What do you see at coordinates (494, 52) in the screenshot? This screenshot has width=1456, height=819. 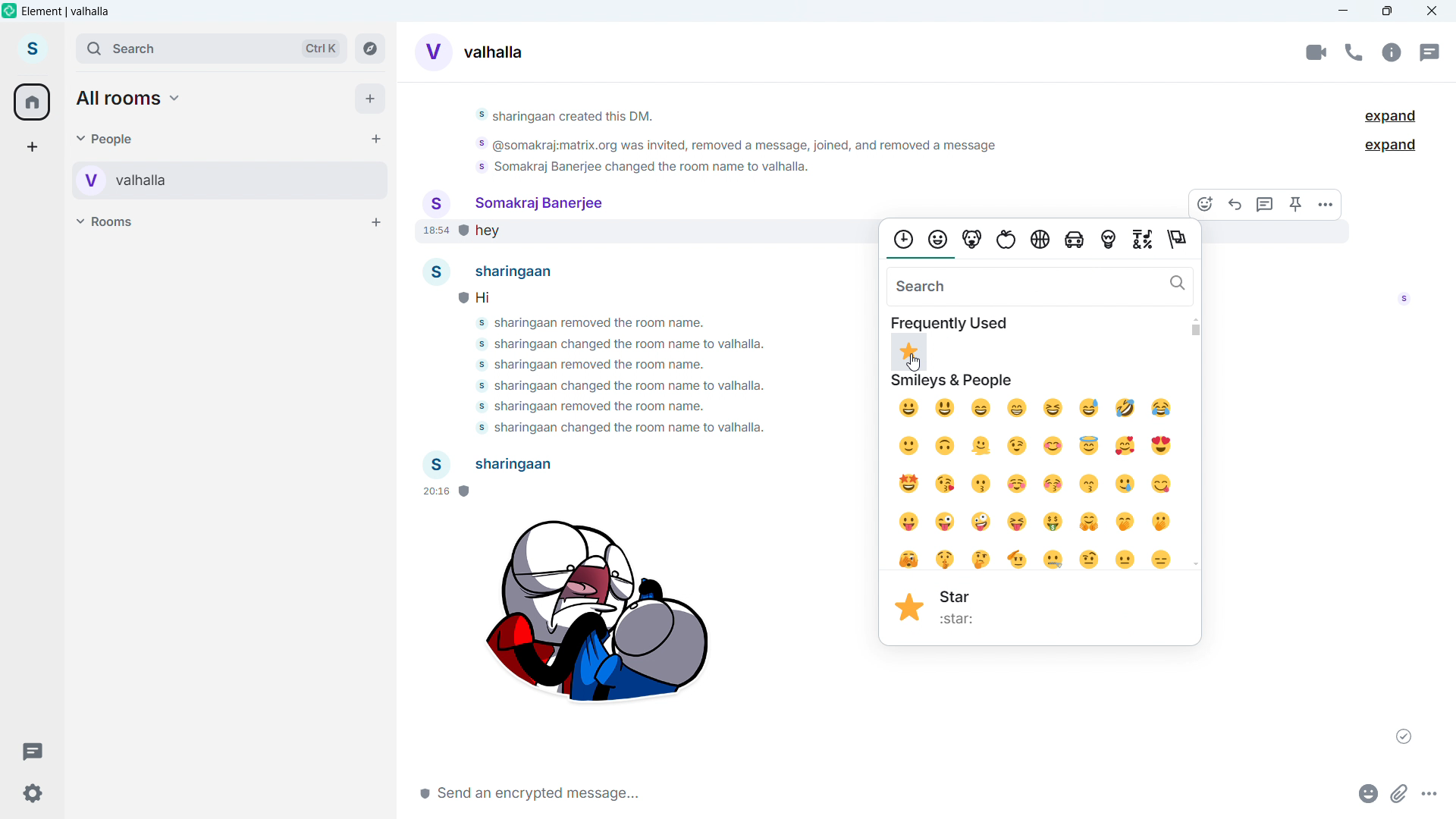 I see `Room alias` at bounding box center [494, 52].